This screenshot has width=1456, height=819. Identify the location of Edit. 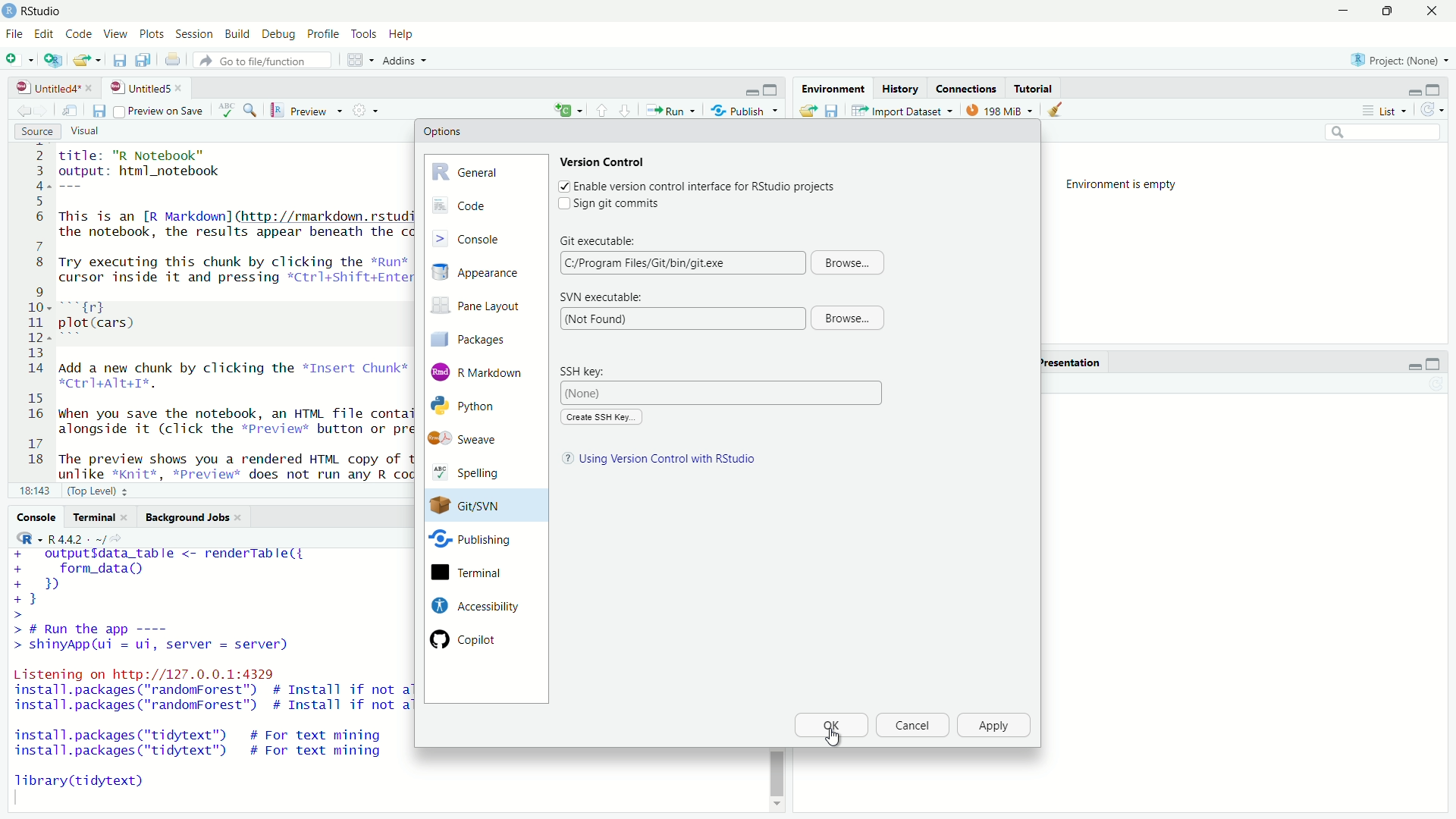
(44, 35).